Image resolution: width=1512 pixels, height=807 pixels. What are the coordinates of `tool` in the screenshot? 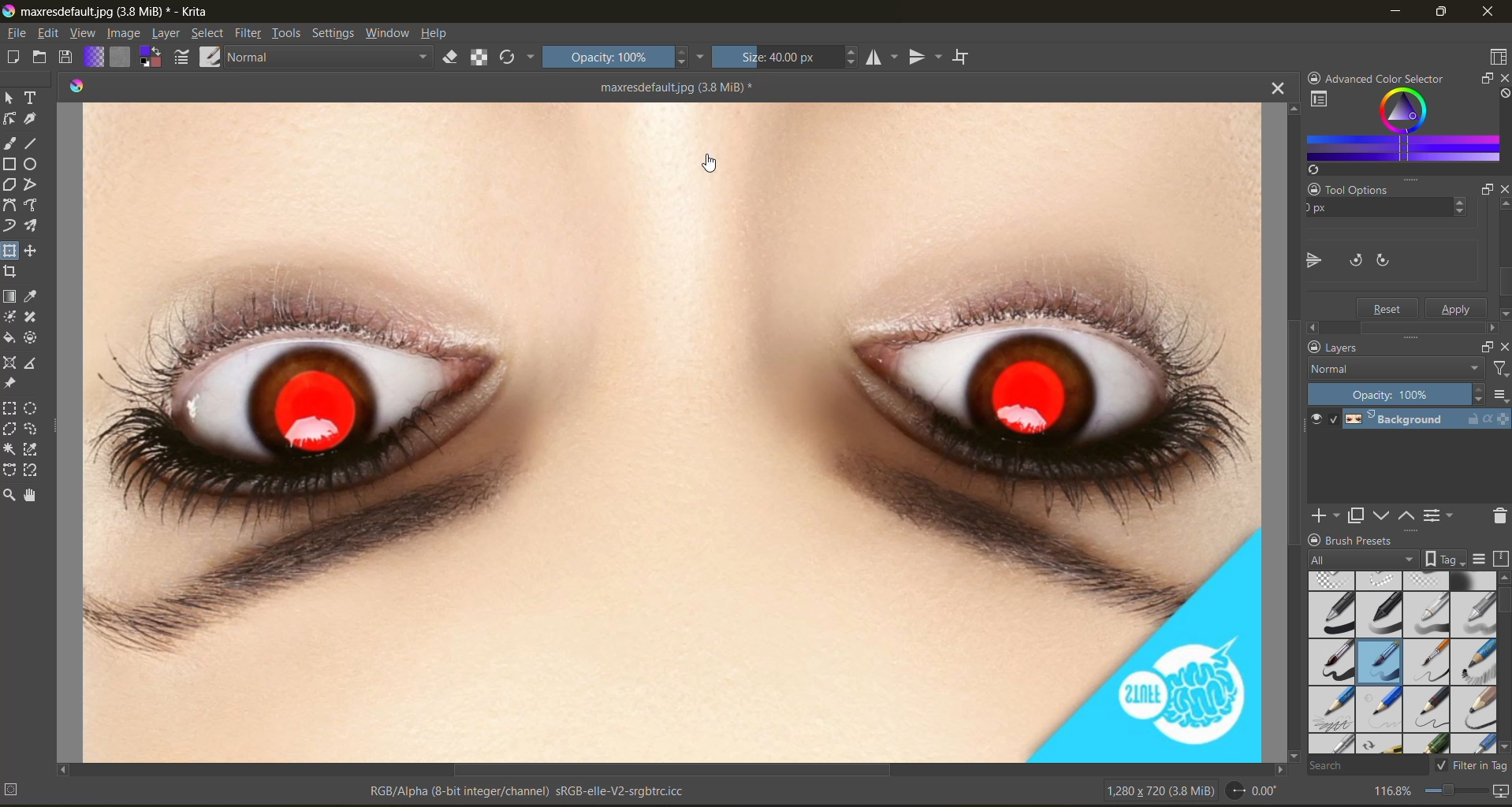 It's located at (35, 428).